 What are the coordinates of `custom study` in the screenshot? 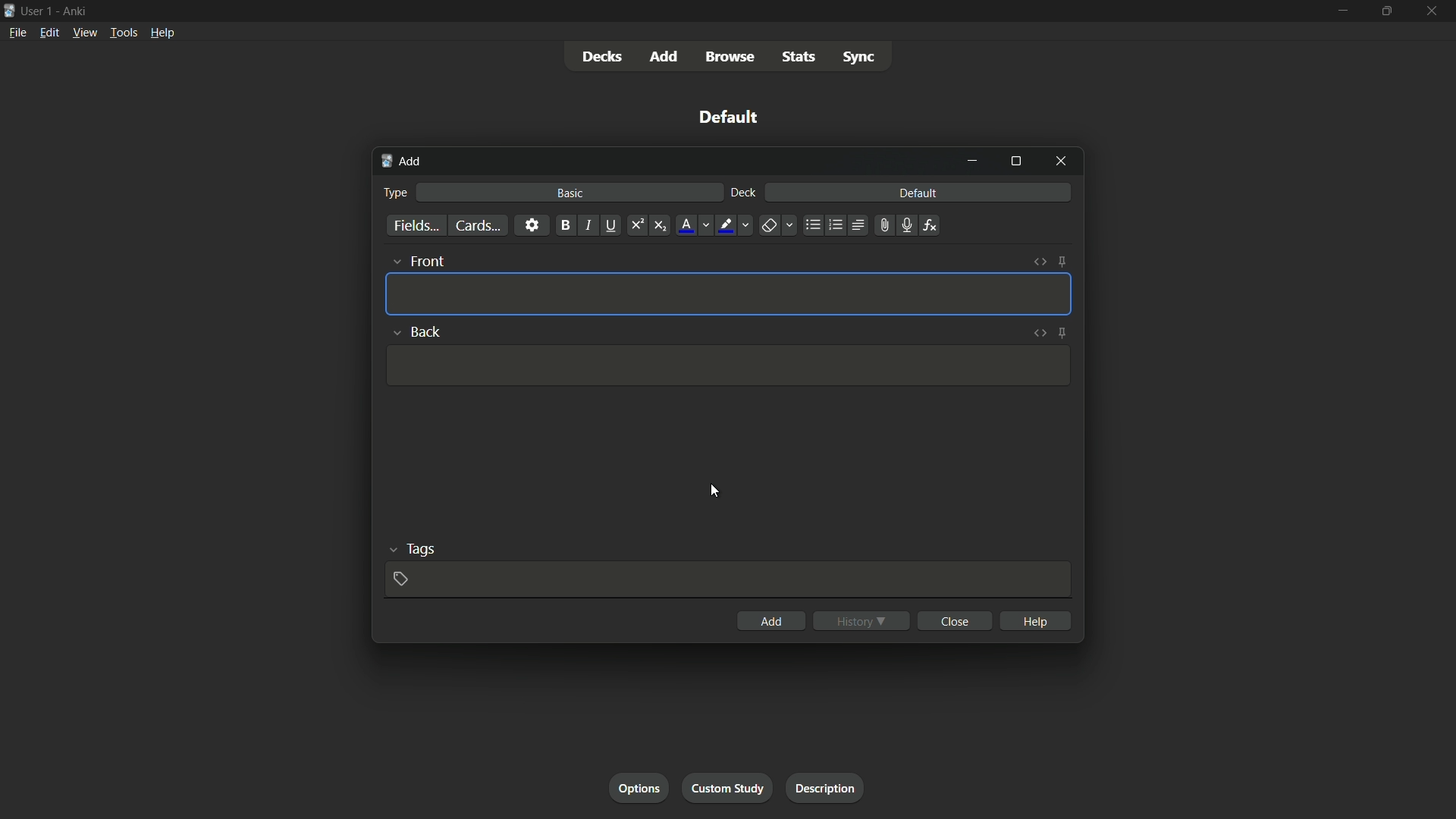 It's located at (726, 788).